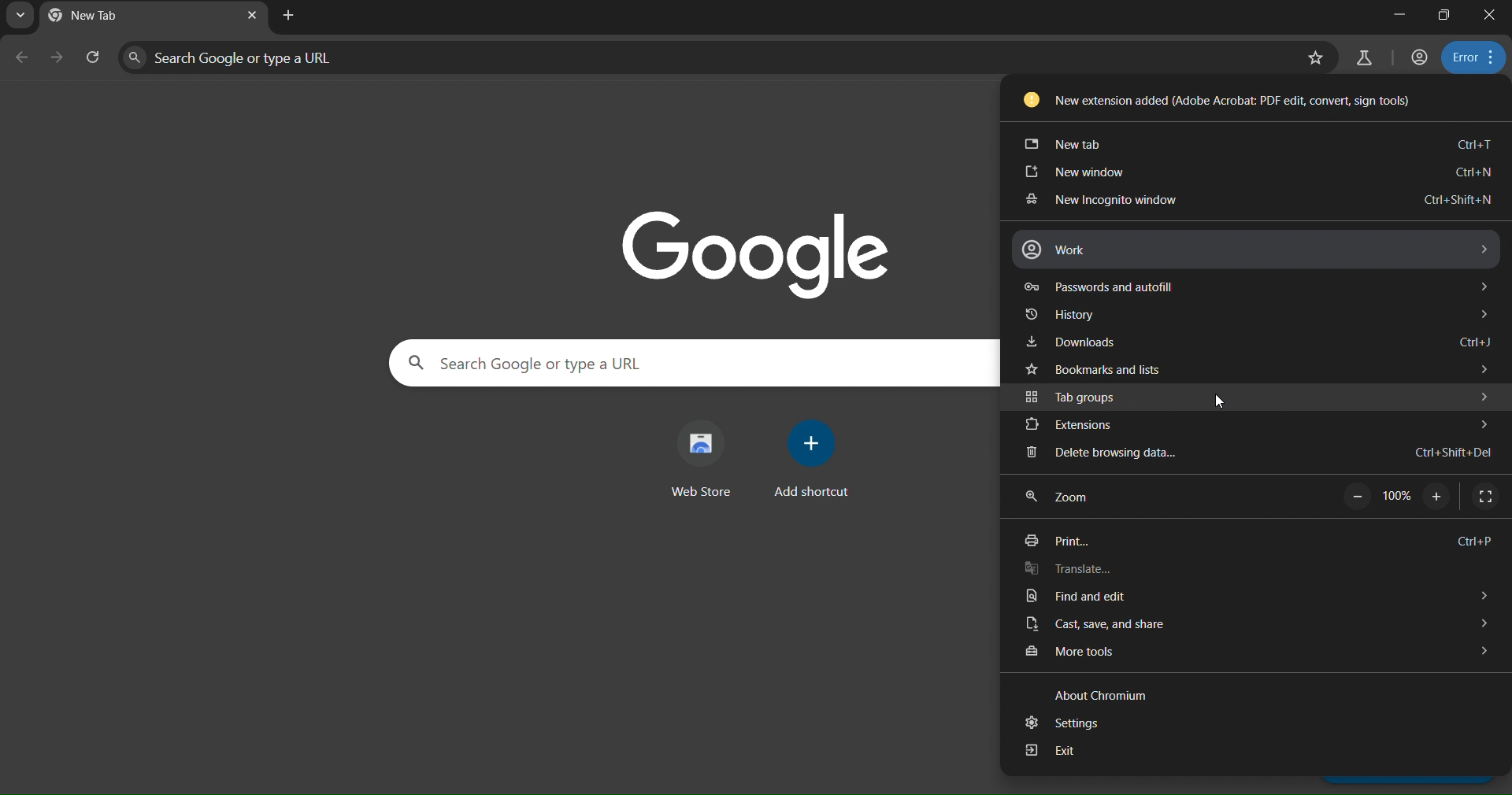 This screenshot has height=795, width=1512. Describe the element at coordinates (1315, 57) in the screenshot. I see `bookmark this page` at that location.